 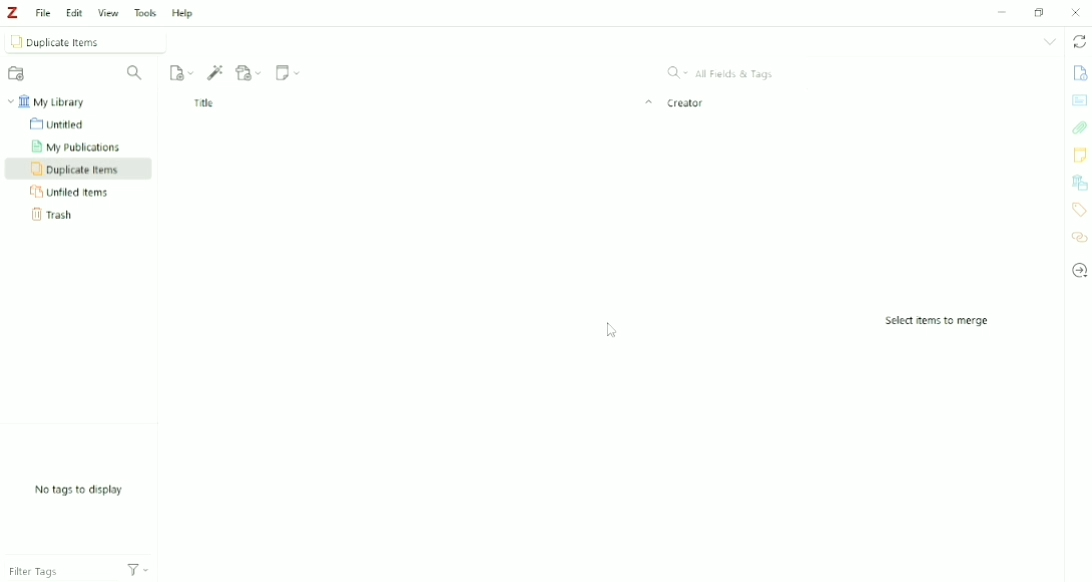 What do you see at coordinates (78, 491) in the screenshot?
I see `No tags to display` at bounding box center [78, 491].